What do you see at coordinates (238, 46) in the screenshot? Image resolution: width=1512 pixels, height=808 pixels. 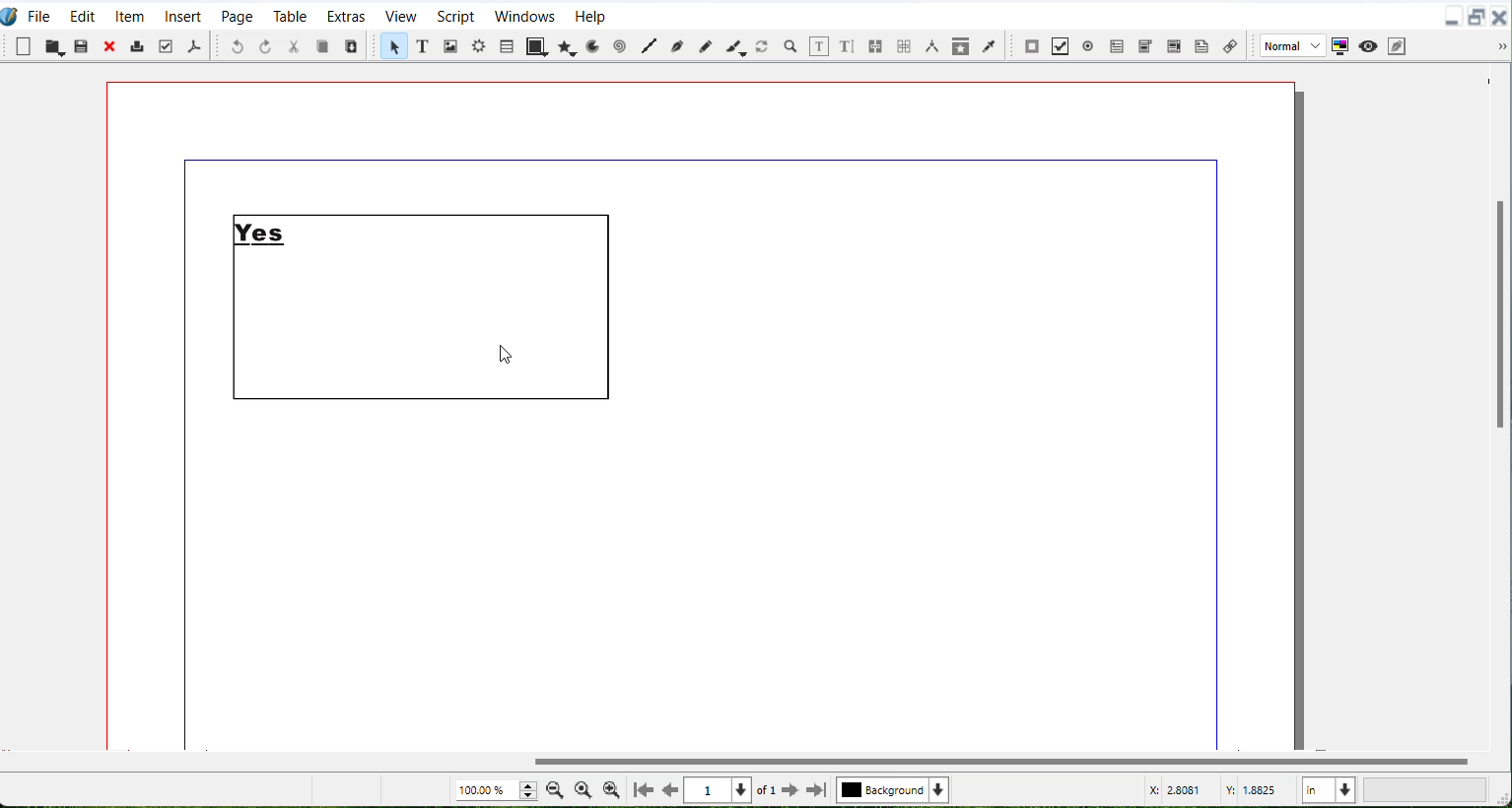 I see `Undo` at bounding box center [238, 46].